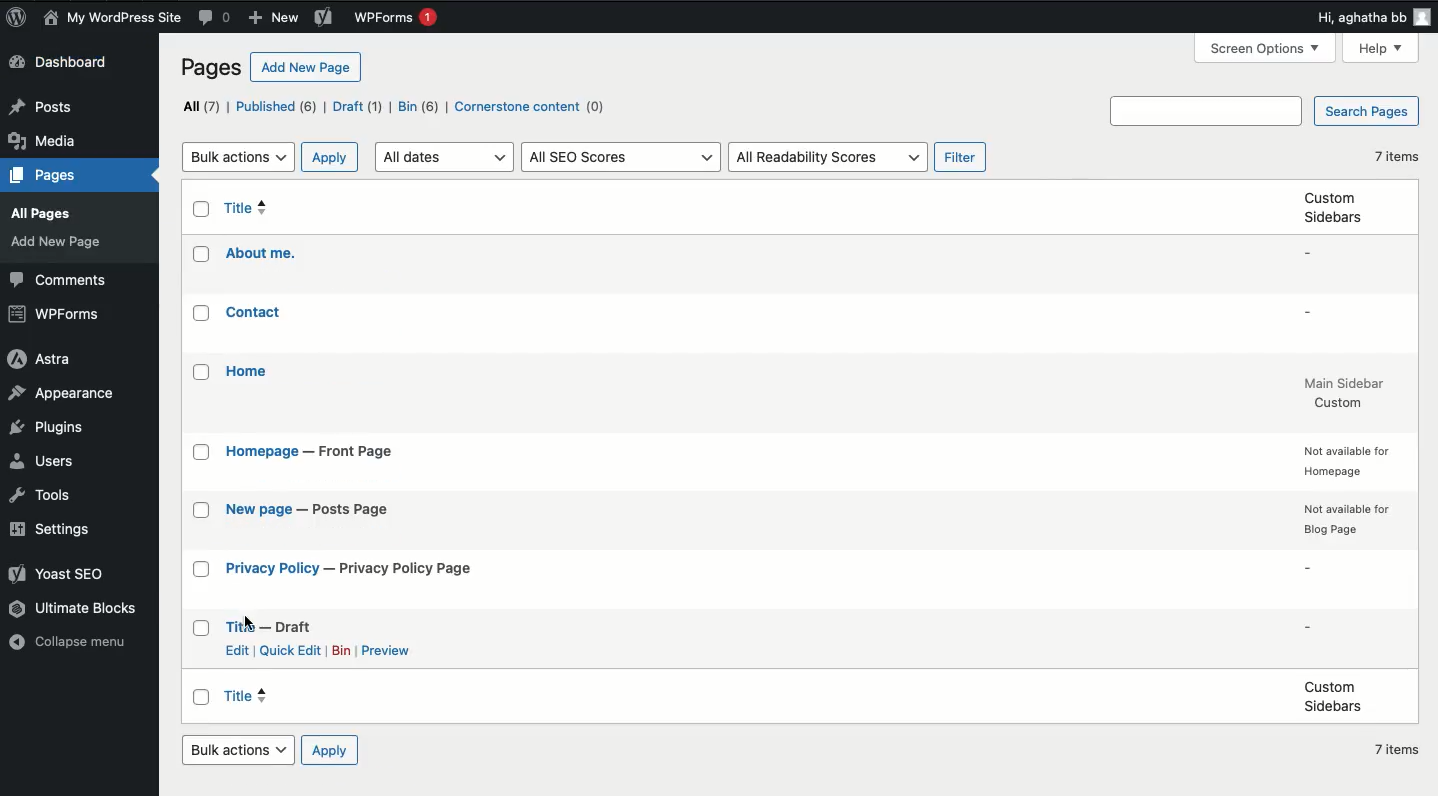 Image resolution: width=1438 pixels, height=796 pixels. I want to click on Settings, so click(57, 531).